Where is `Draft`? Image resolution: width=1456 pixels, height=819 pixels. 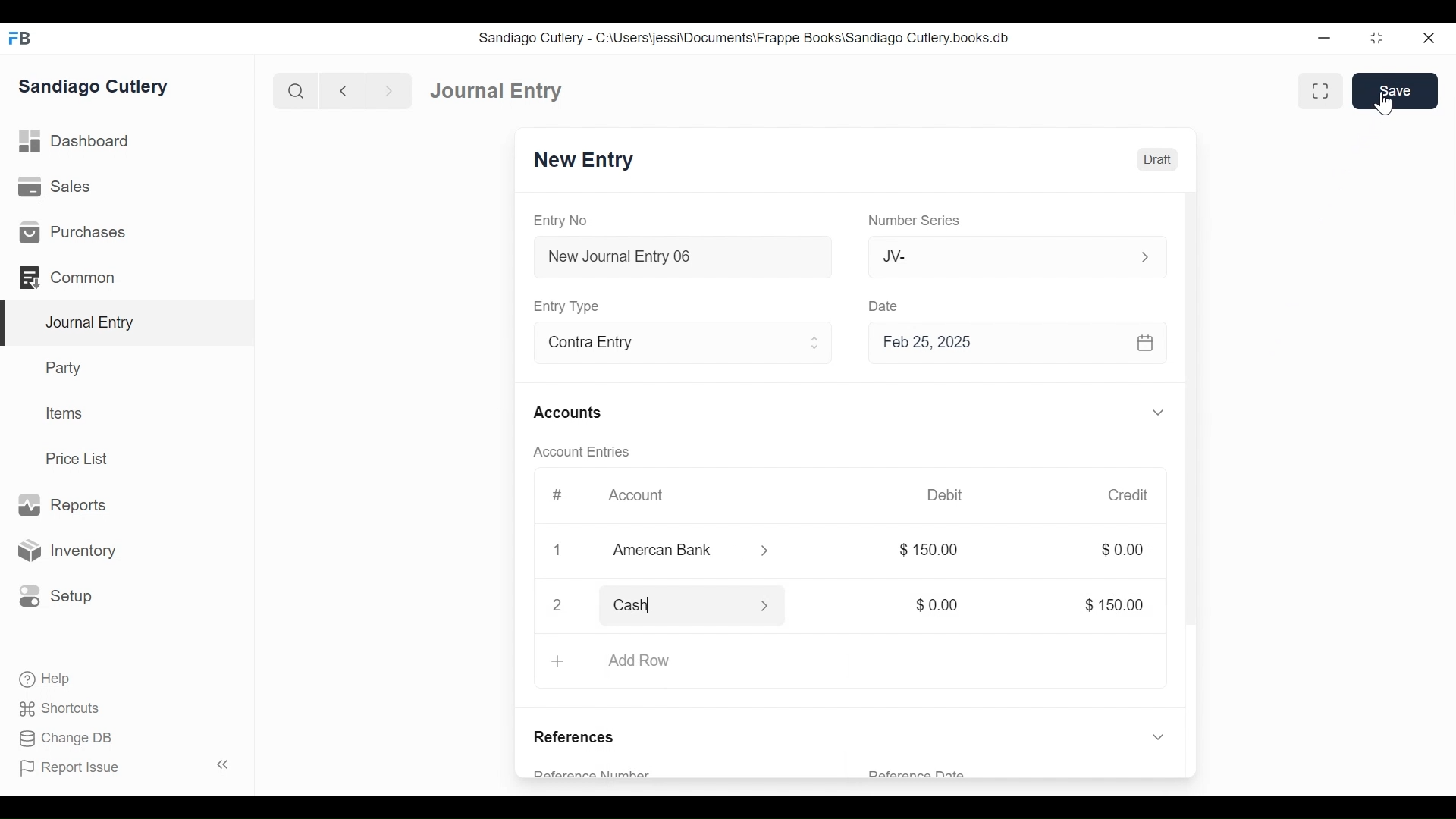 Draft is located at coordinates (1157, 160).